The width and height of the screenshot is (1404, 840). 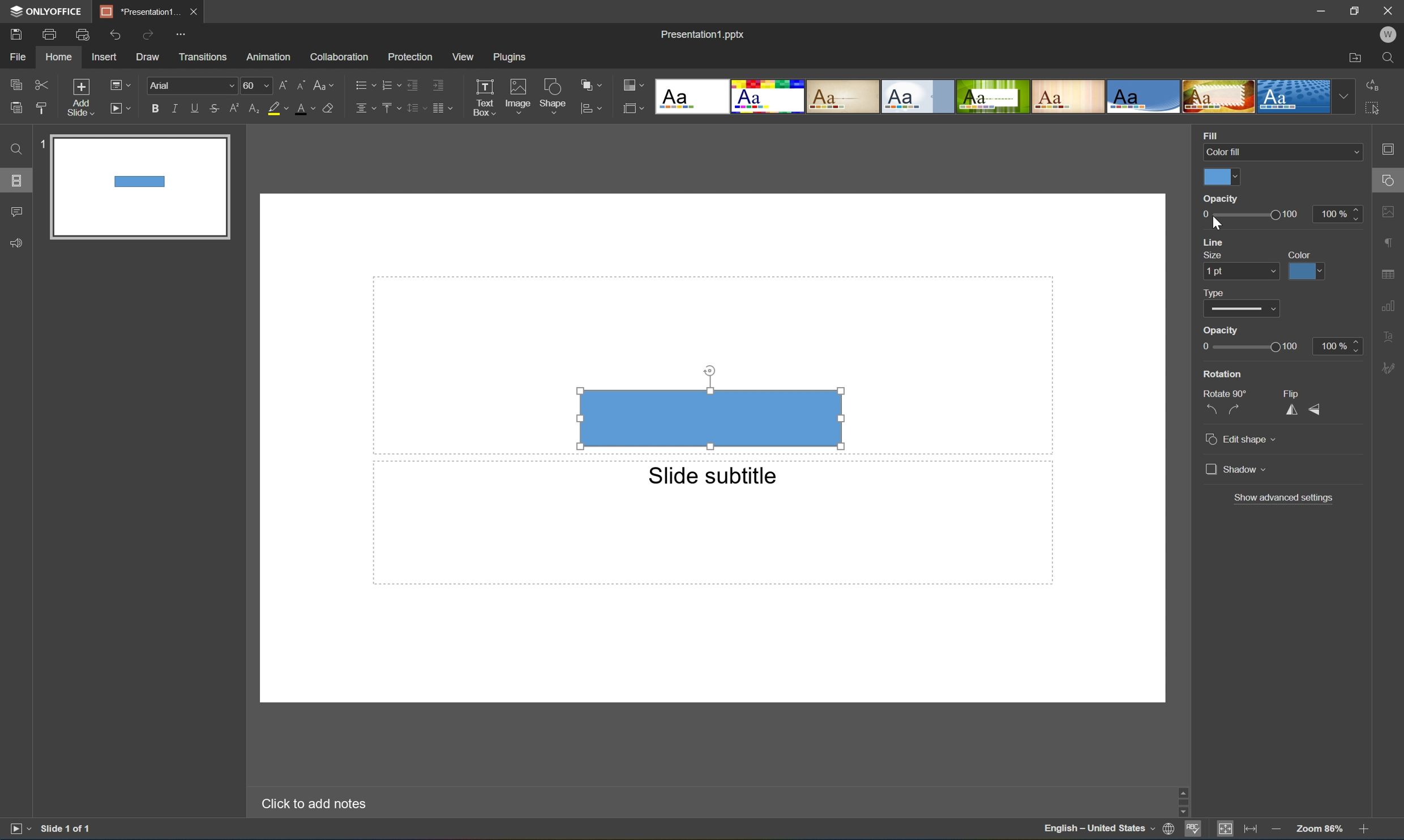 What do you see at coordinates (1228, 832) in the screenshot?
I see `Fit to slide` at bounding box center [1228, 832].